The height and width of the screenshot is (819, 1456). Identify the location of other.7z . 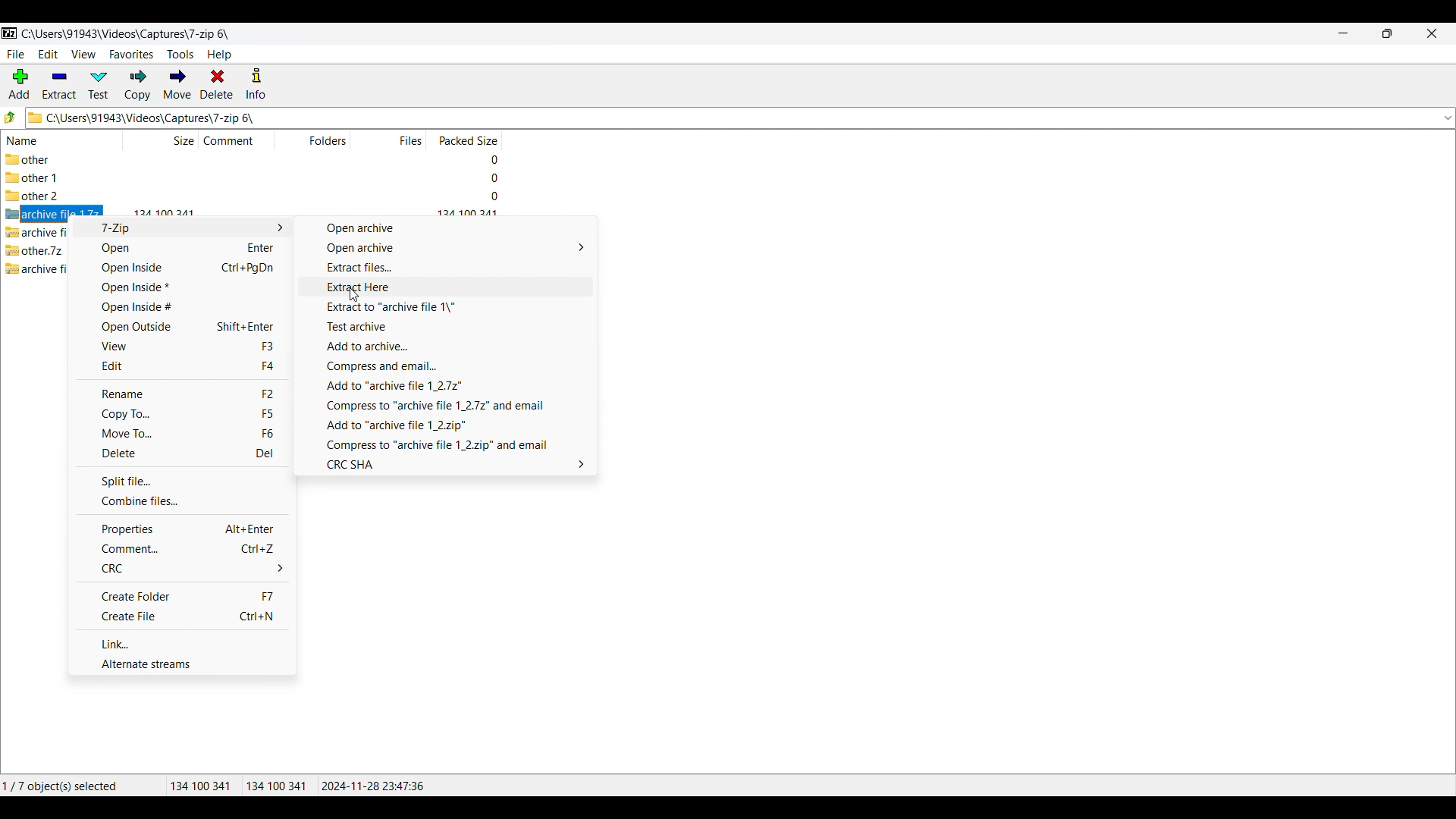
(35, 250).